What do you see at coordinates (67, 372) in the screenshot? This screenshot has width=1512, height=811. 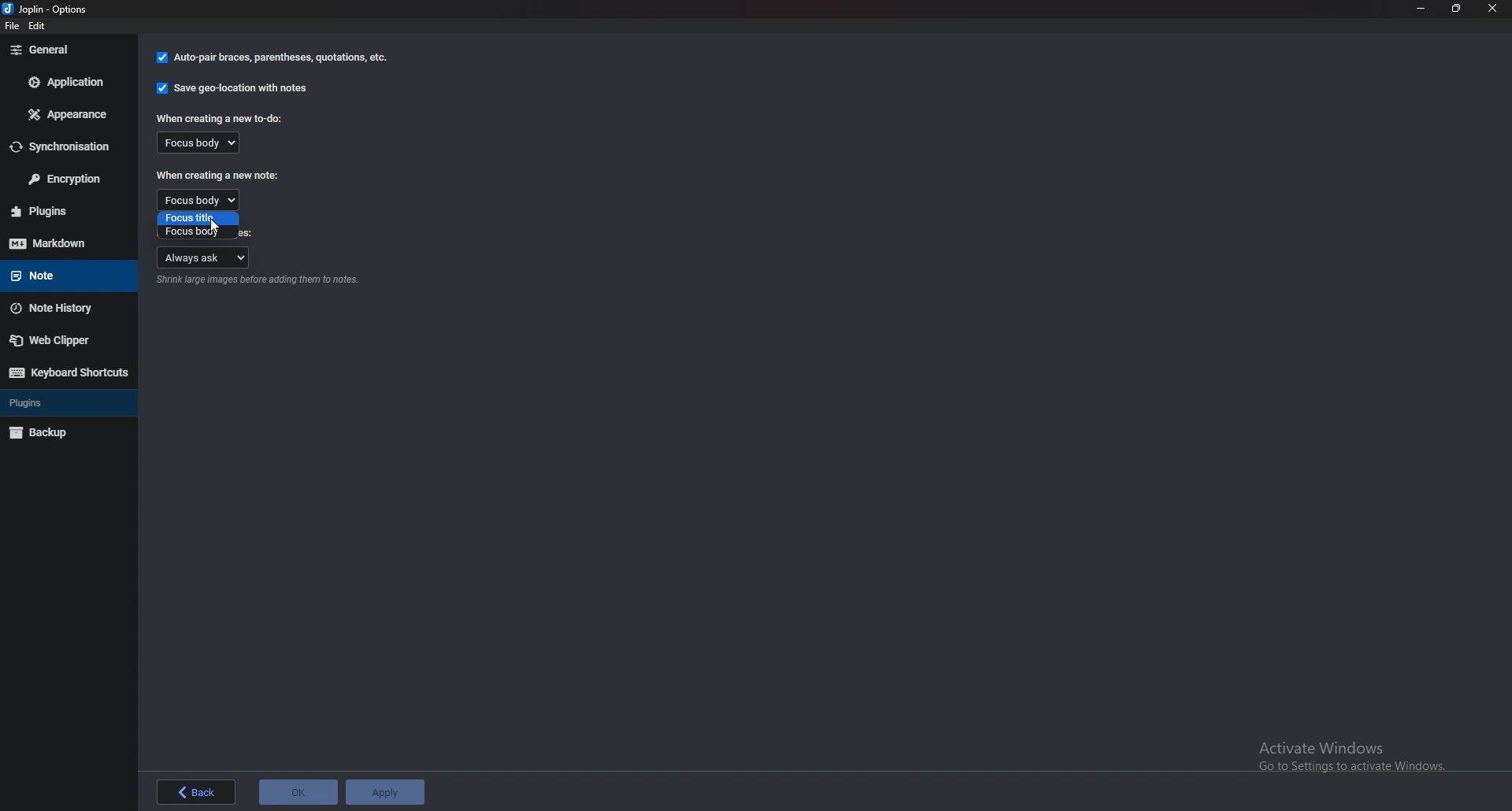 I see `Keyboard shortcuts` at bounding box center [67, 372].